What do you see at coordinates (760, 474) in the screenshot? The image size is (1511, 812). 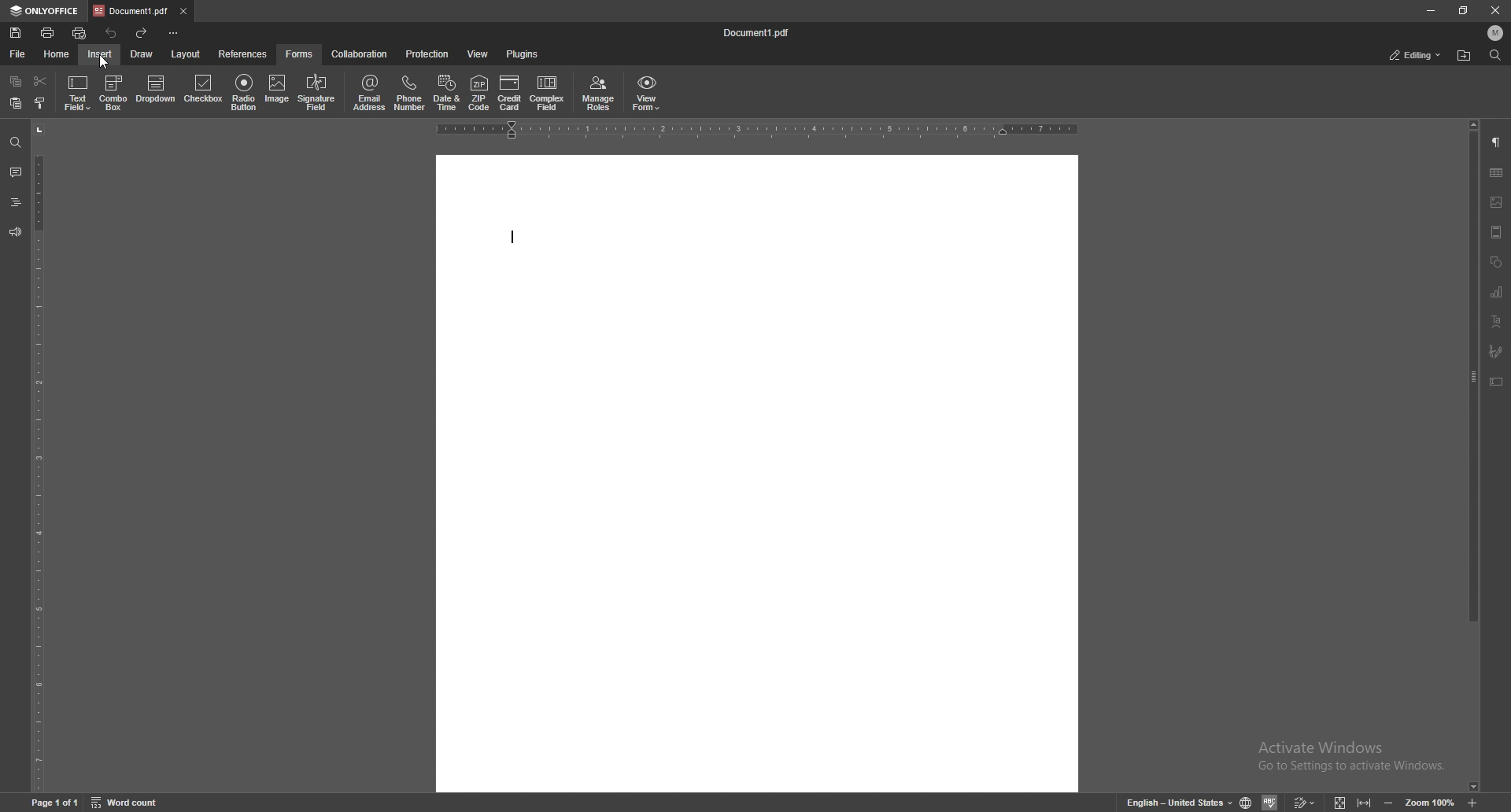 I see `document ` at bounding box center [760, 474].